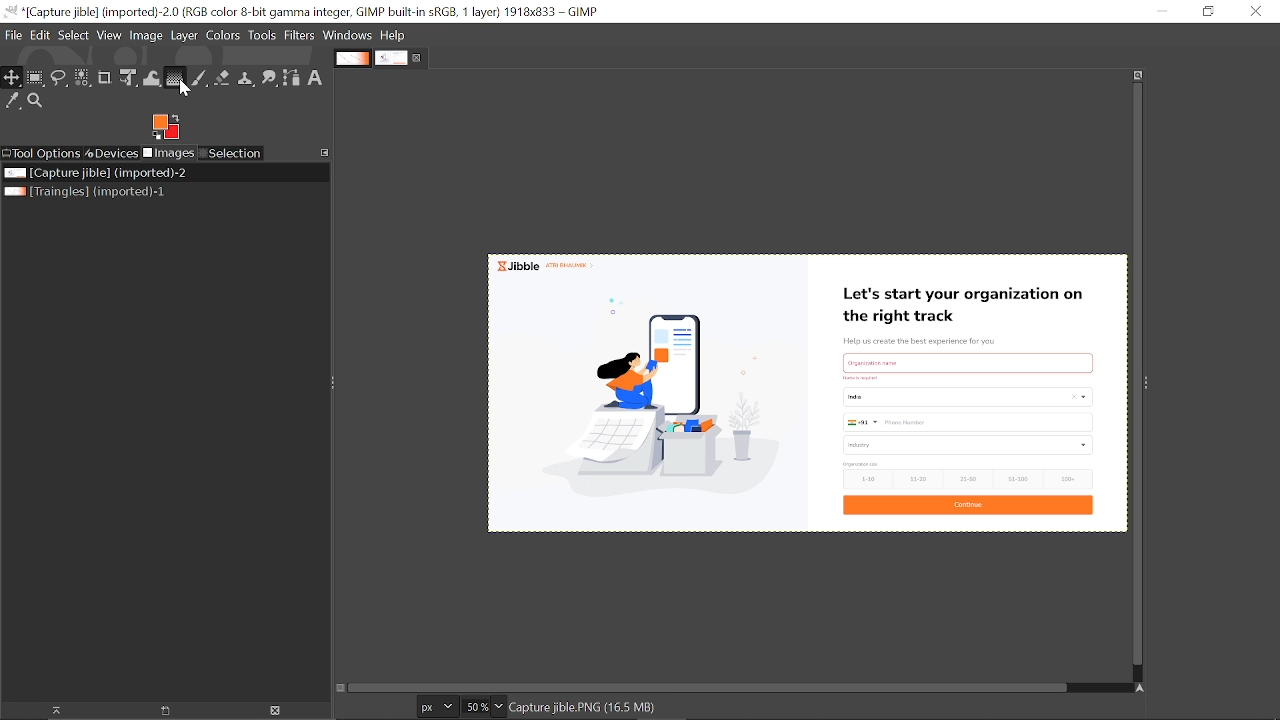 The image size is (1280, 720). What do you see at coordinates (392, 58) in the screenshot?
I see `Current tab` at bounding box center [392, 58].